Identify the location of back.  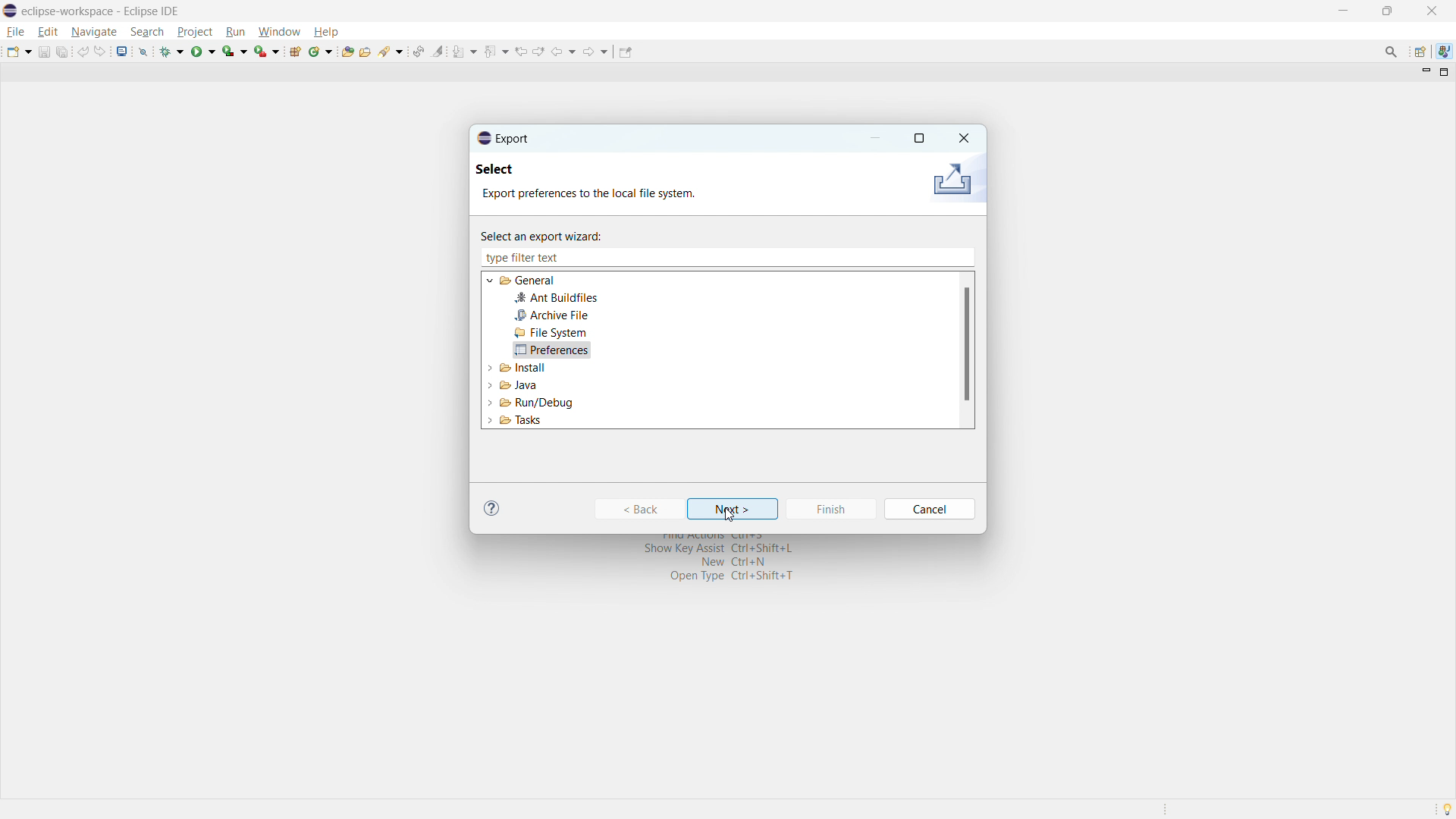
(639, 509).